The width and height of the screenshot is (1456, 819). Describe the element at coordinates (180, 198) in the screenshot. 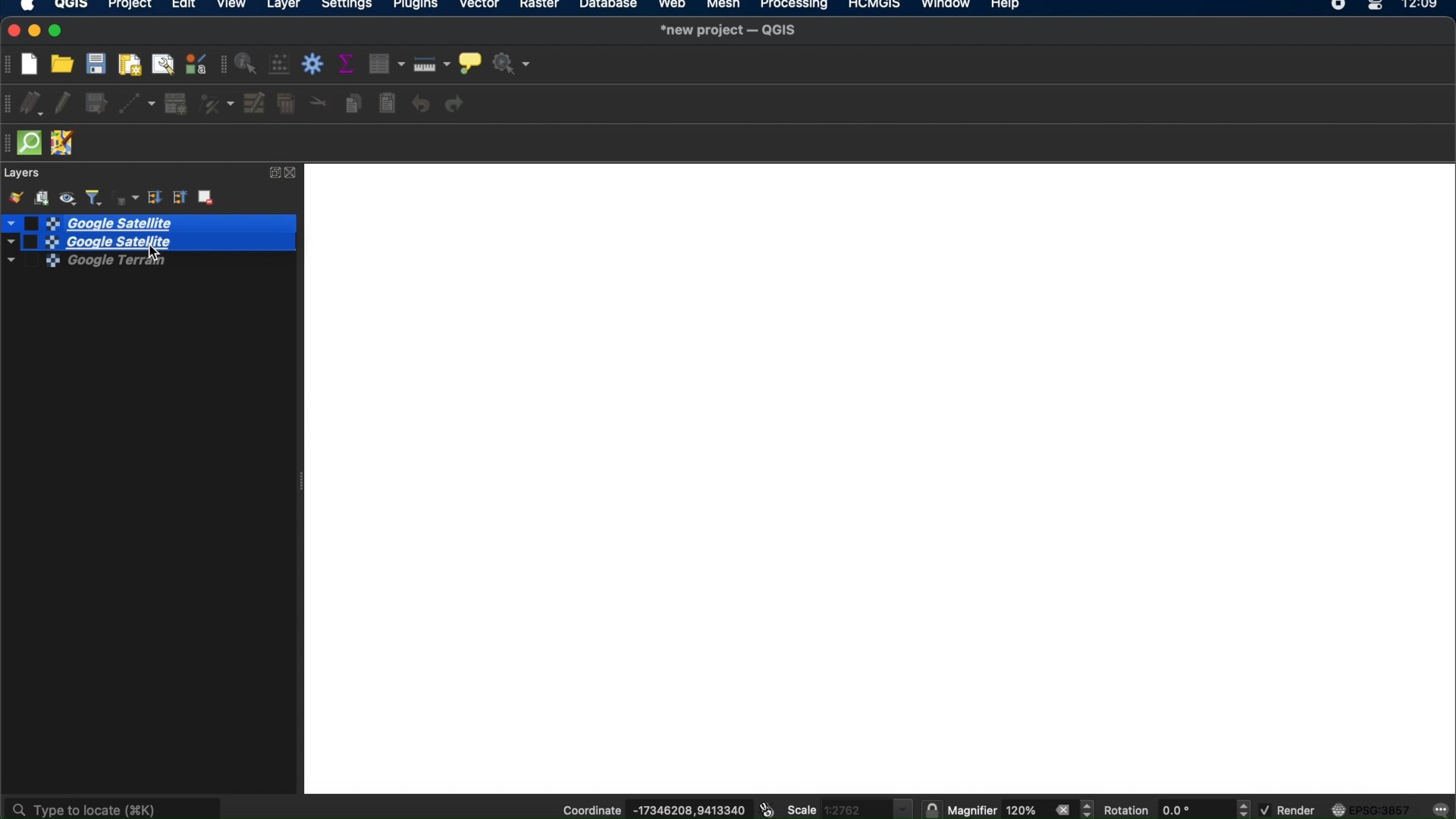

I see `collapse all` at that location.